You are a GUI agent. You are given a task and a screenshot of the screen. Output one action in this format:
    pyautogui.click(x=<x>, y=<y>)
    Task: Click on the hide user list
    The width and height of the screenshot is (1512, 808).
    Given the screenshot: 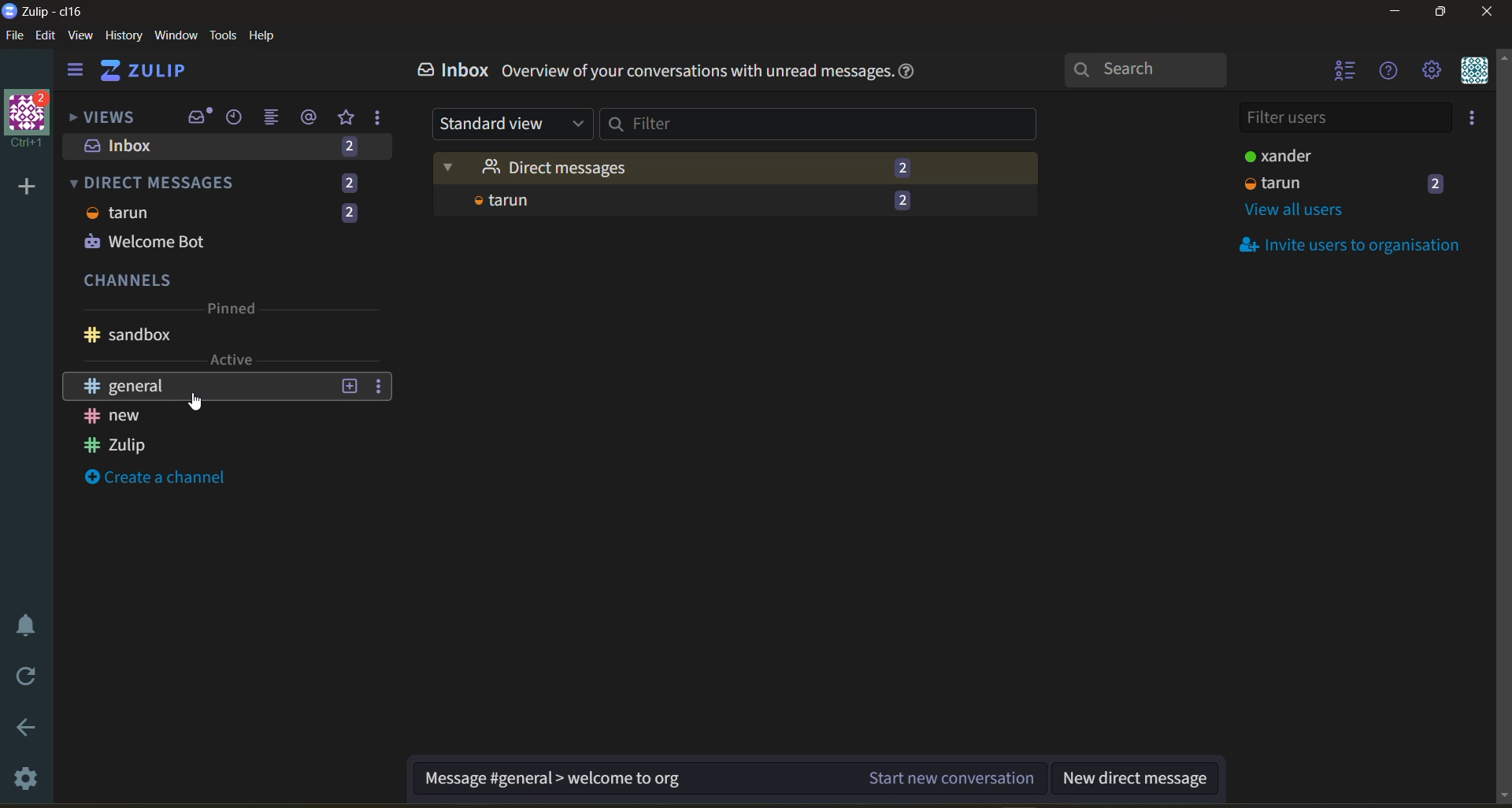 What is the action you would take?
    pyautogui.click(x=1346, y=72)
    